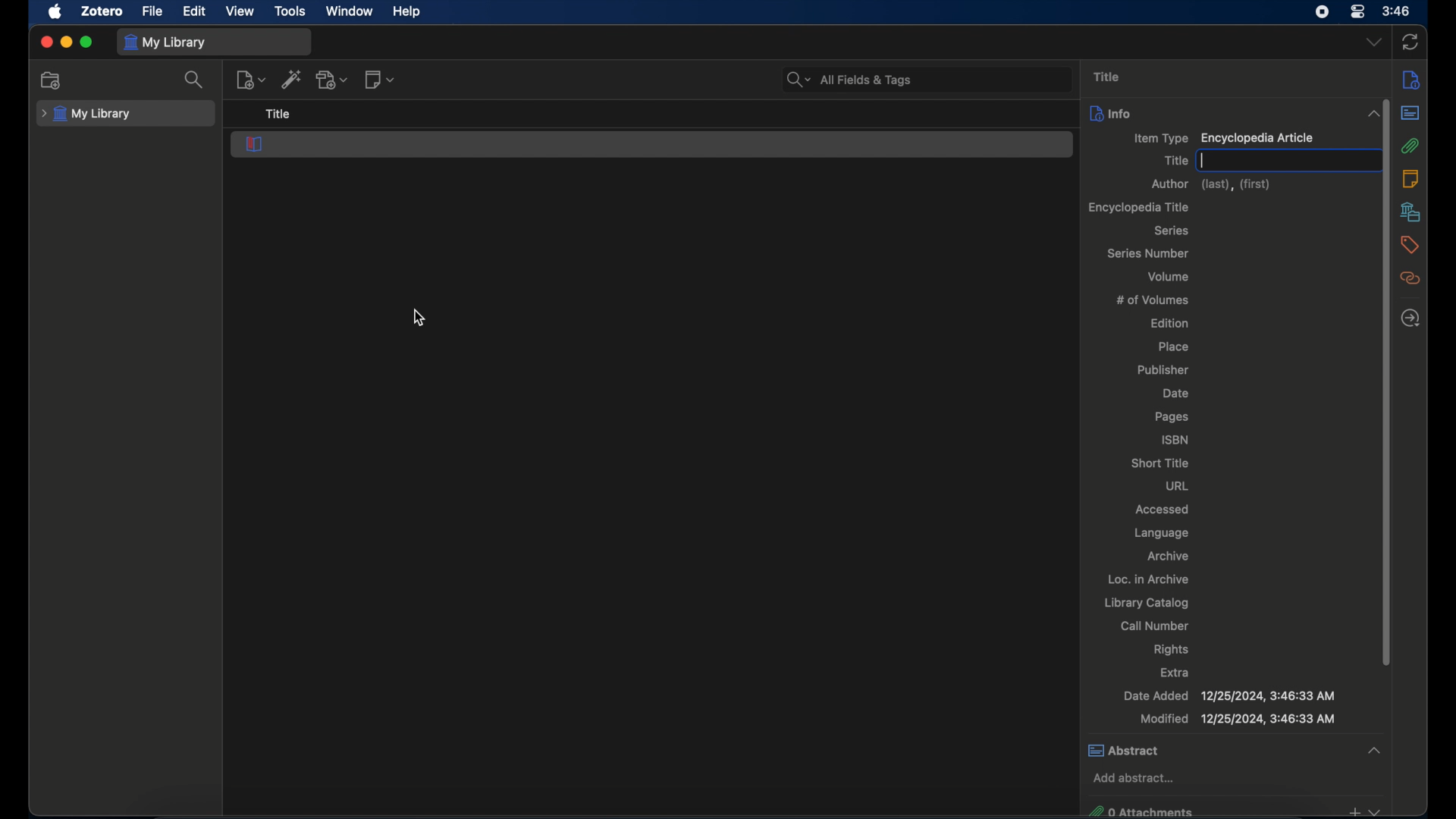  Describe the element at coordinates (1178, 485) in the screenshot. I see `url` at that location.